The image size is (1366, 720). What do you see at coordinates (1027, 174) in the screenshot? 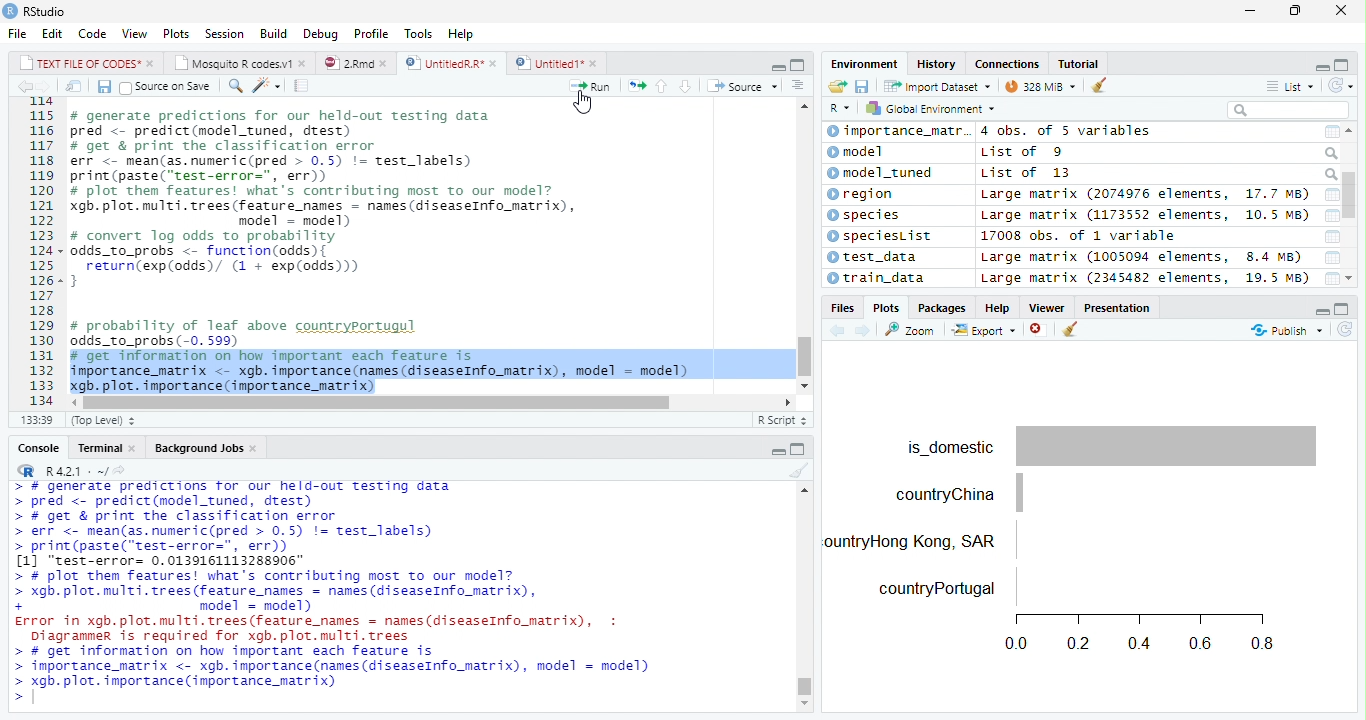
I see `List of 13` at bounding box center [1027, 174].